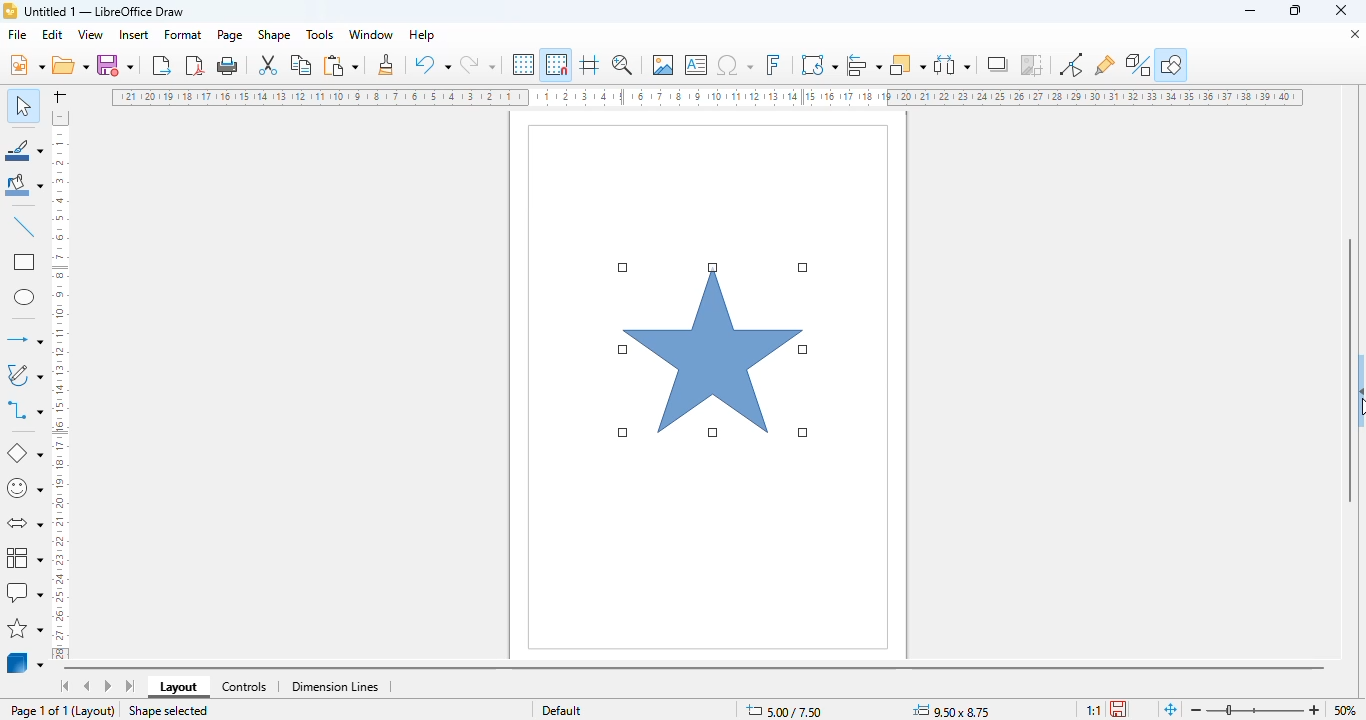 The width and height of the screenshot is (1366, 720). I want to click on rectangle, so click(24, 262).